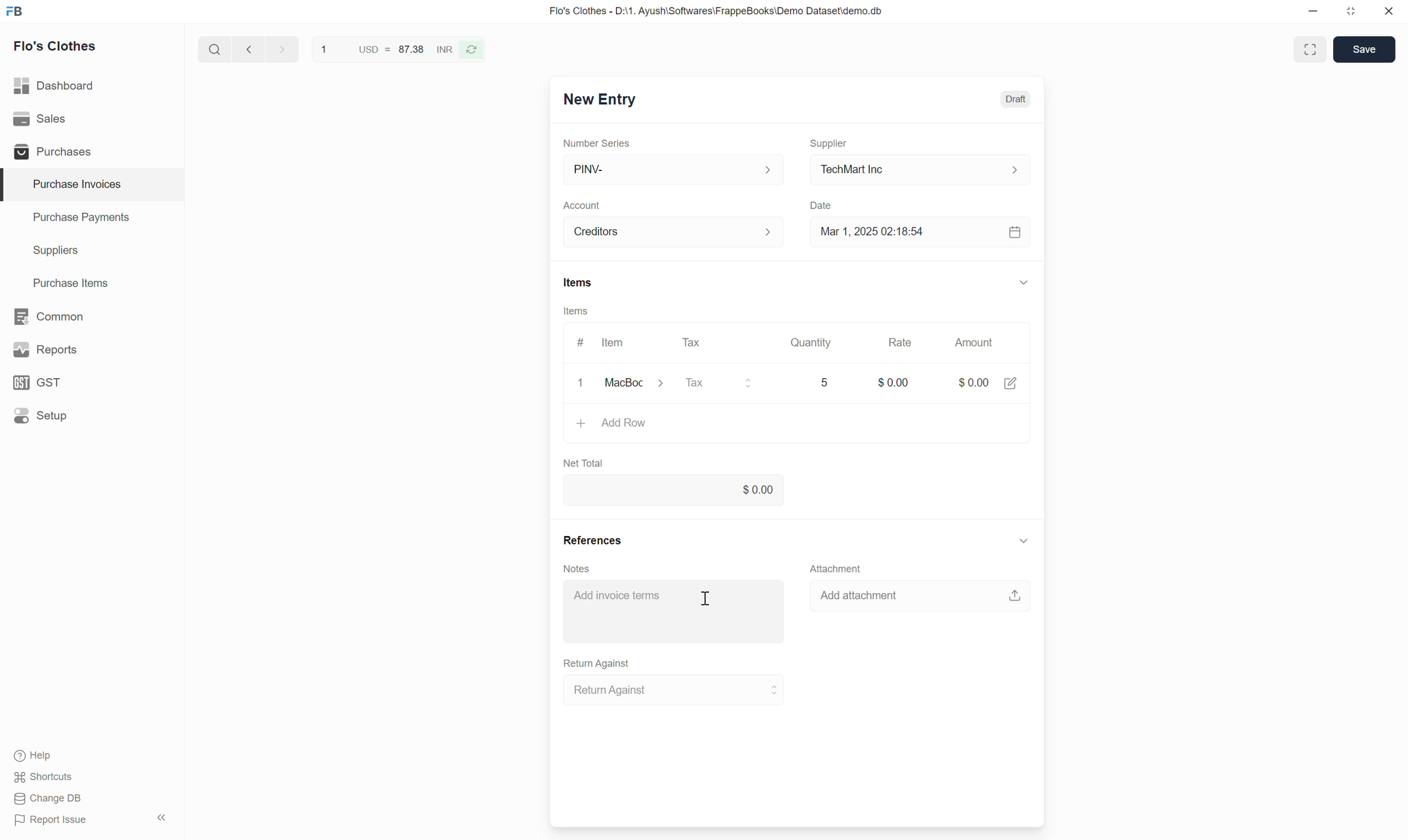 This screenshot has height=840, width=1408. What do you see at coordinates (577, 569) in the screenshot?
I see `Notes` at bounding box center [577, 569].